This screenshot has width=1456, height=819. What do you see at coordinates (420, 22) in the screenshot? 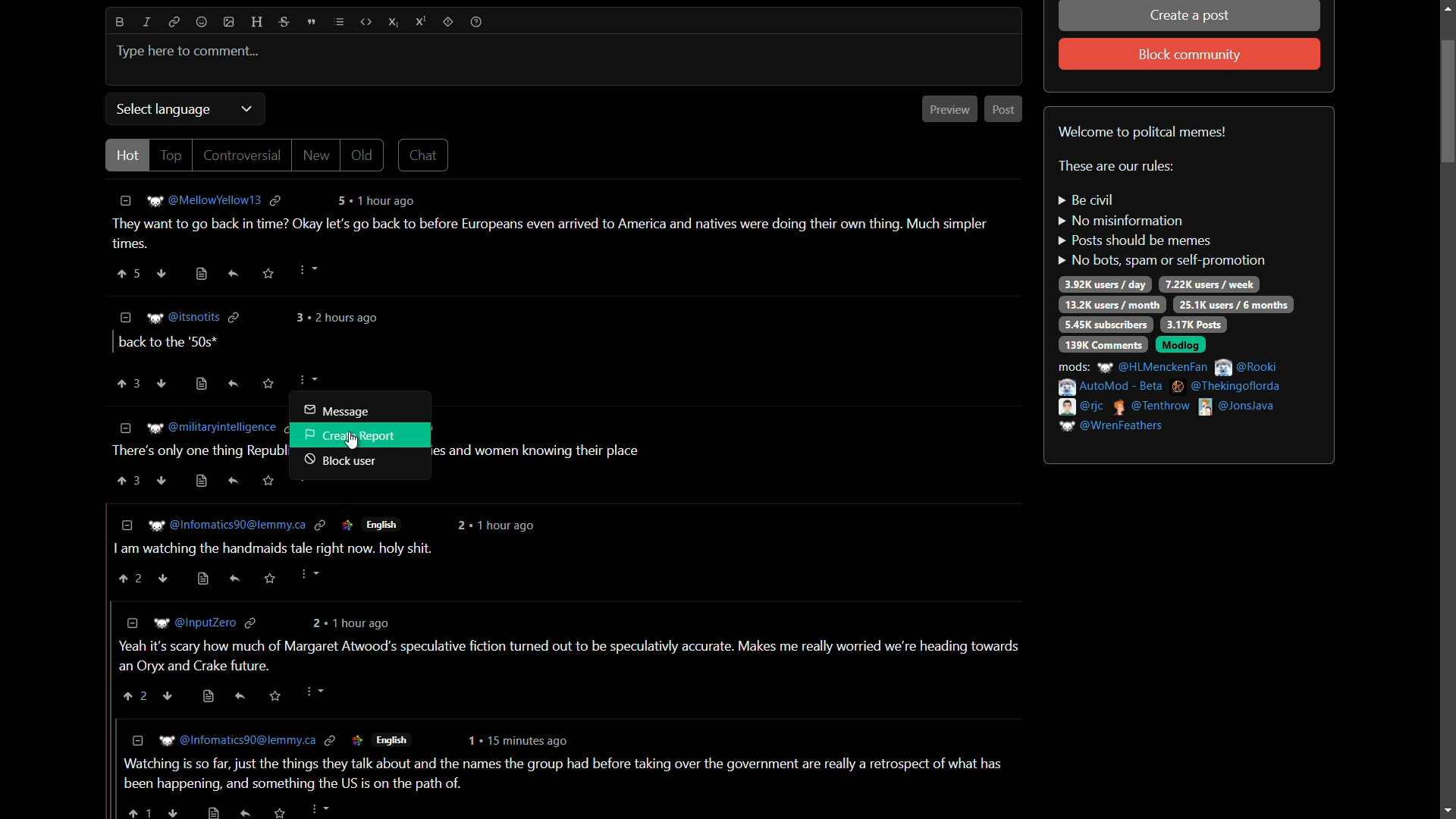
I see `superscript` at bounding box center [420, 22].